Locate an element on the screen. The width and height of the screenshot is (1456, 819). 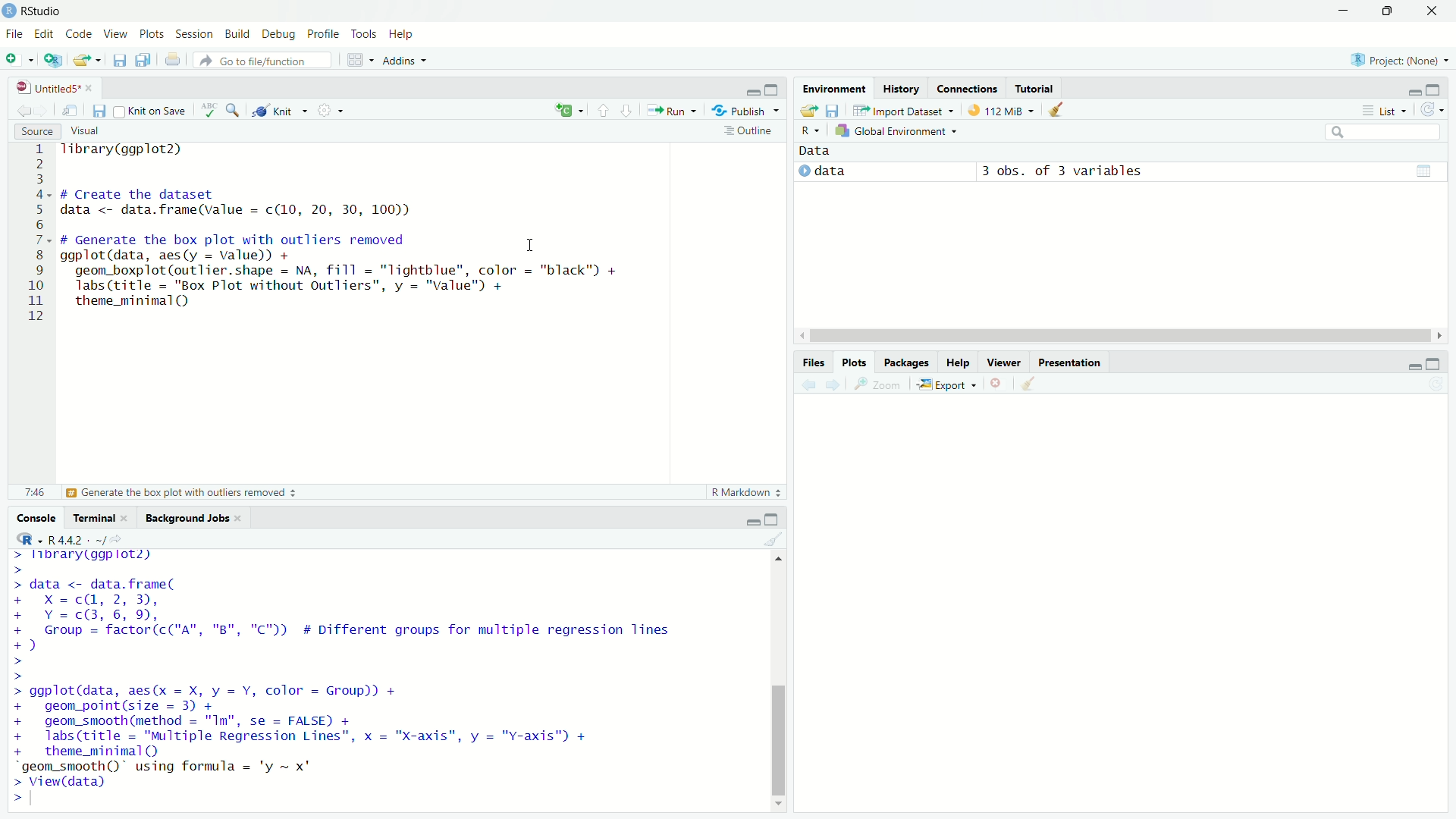
export is located at coordinates (86, 64).